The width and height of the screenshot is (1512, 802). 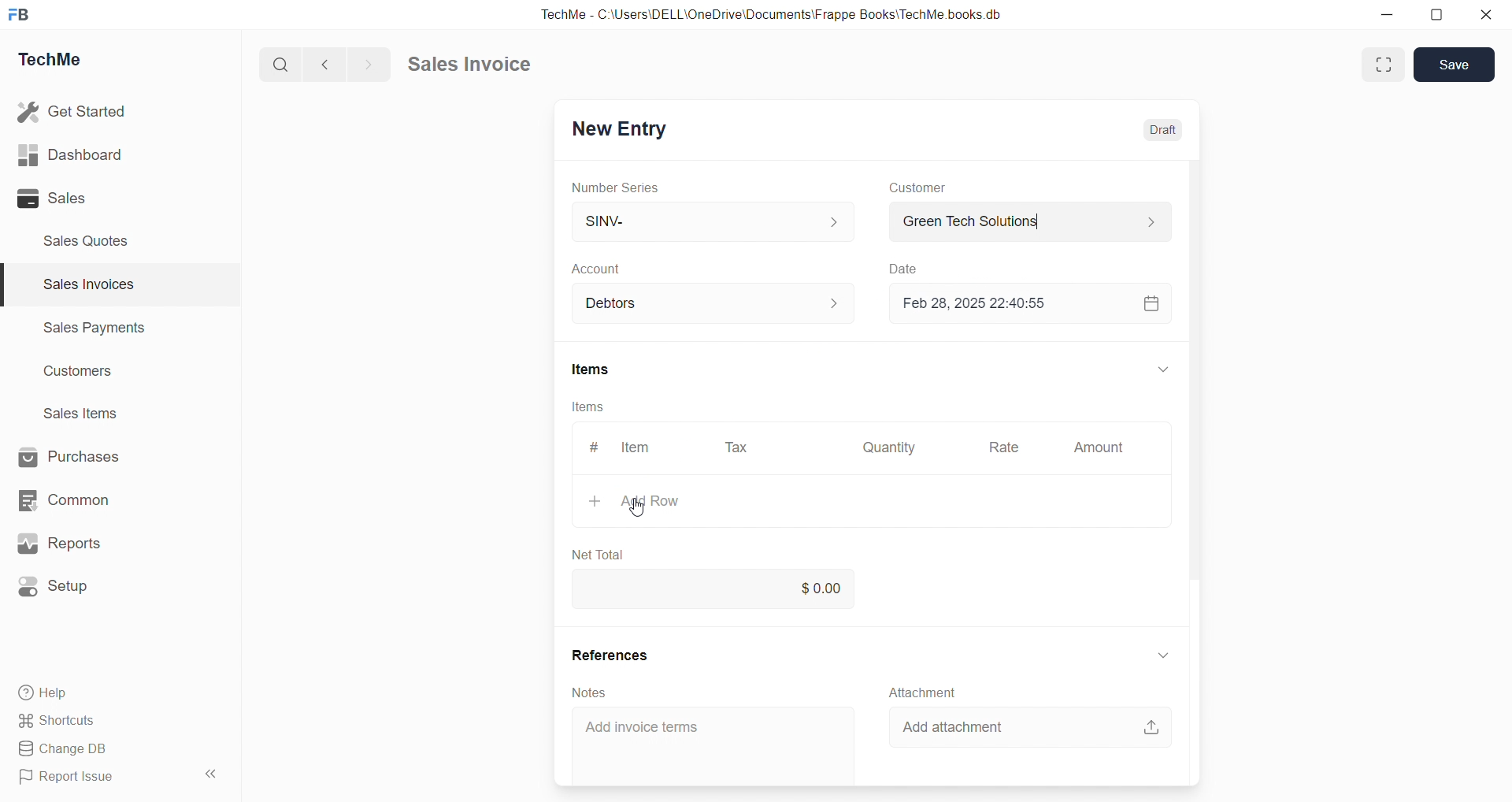 I want to click on down, so click(x=1164, y=369).